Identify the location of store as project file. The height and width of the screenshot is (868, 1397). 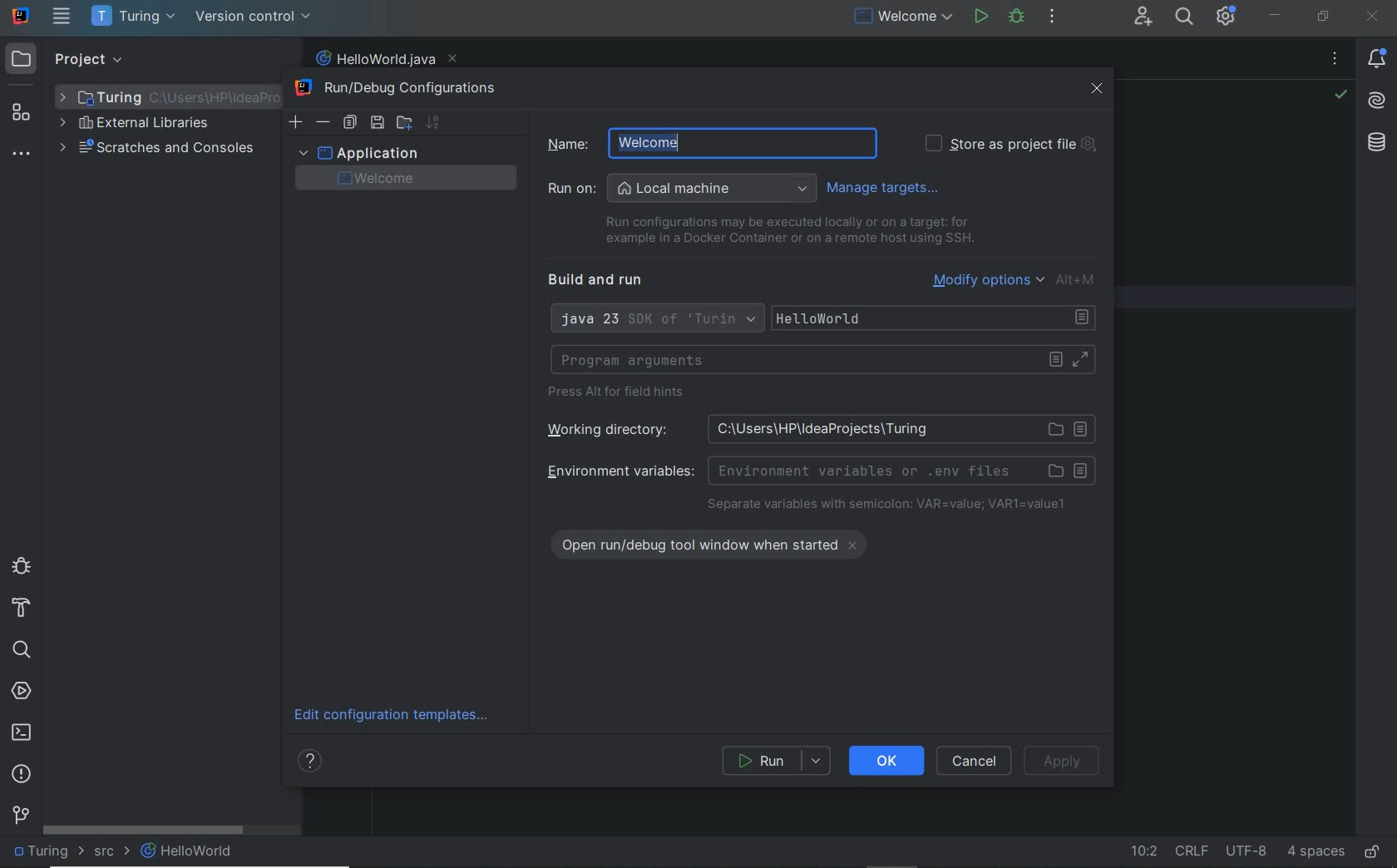
(1009, 144).